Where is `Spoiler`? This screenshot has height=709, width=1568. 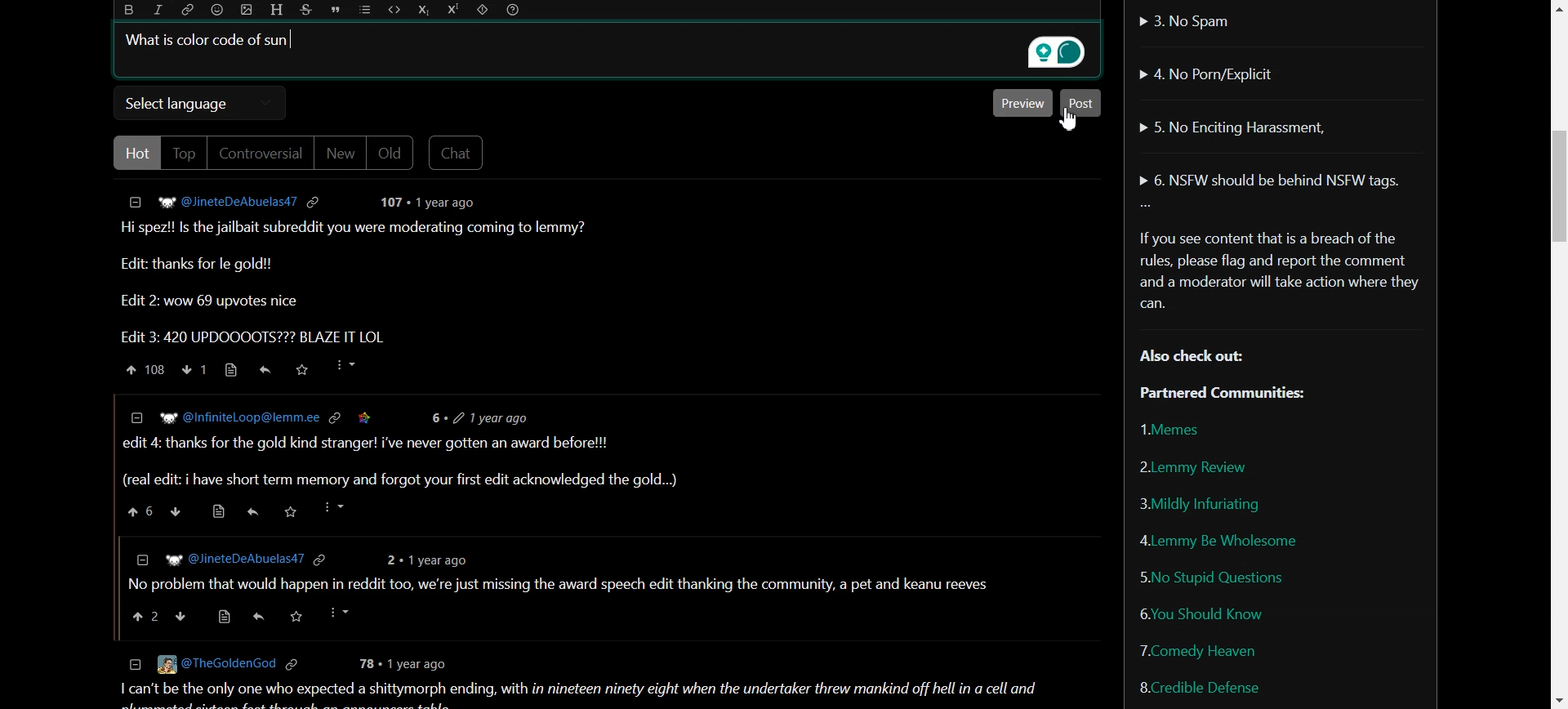
Spoiler is located at coordinates (483, 10).